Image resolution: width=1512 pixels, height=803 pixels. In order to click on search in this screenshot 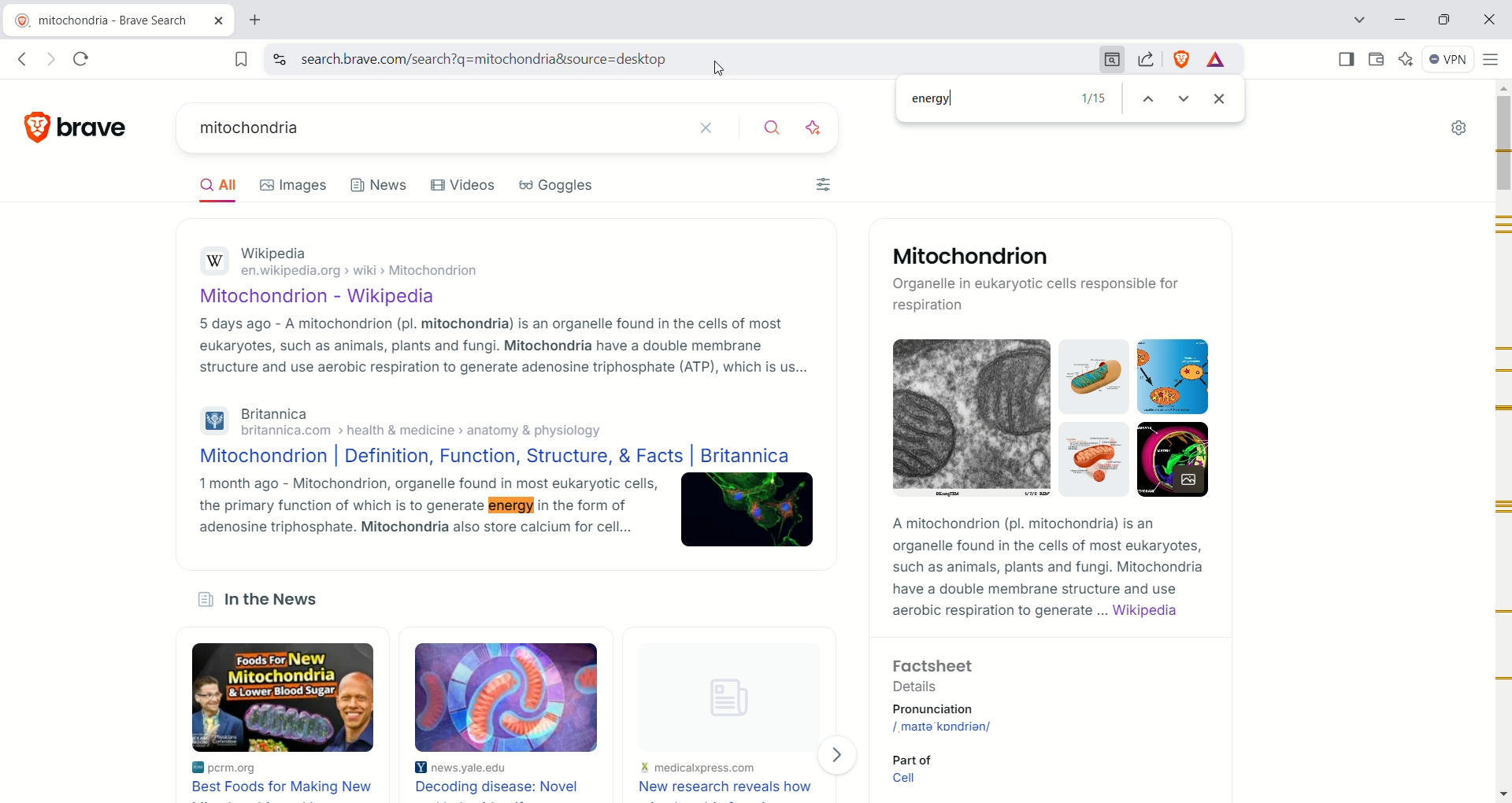, I will do `click(774, 128)`.